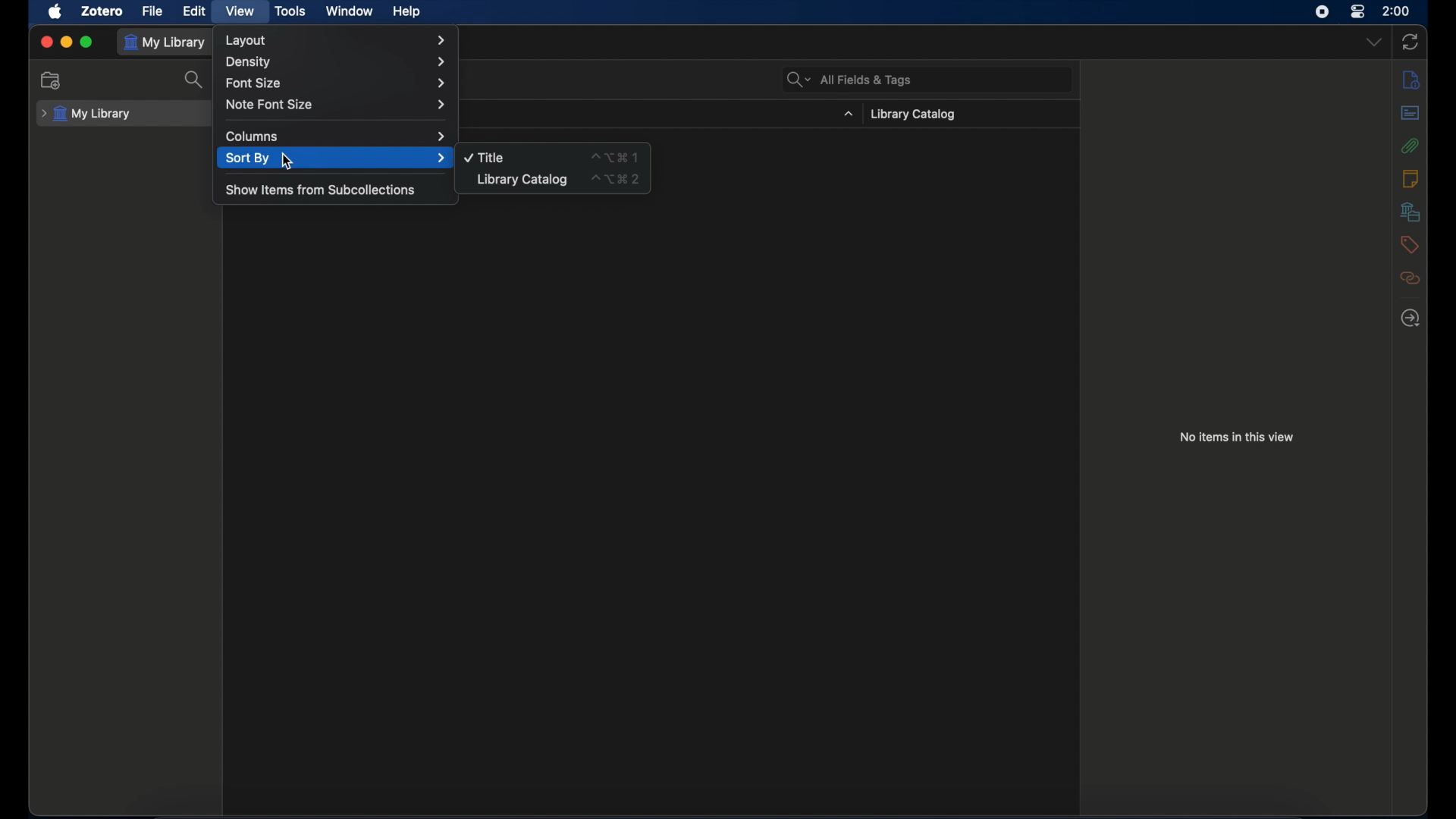 This screenshot has height=819, width=1456. I want to click on file, so click(153, 11).